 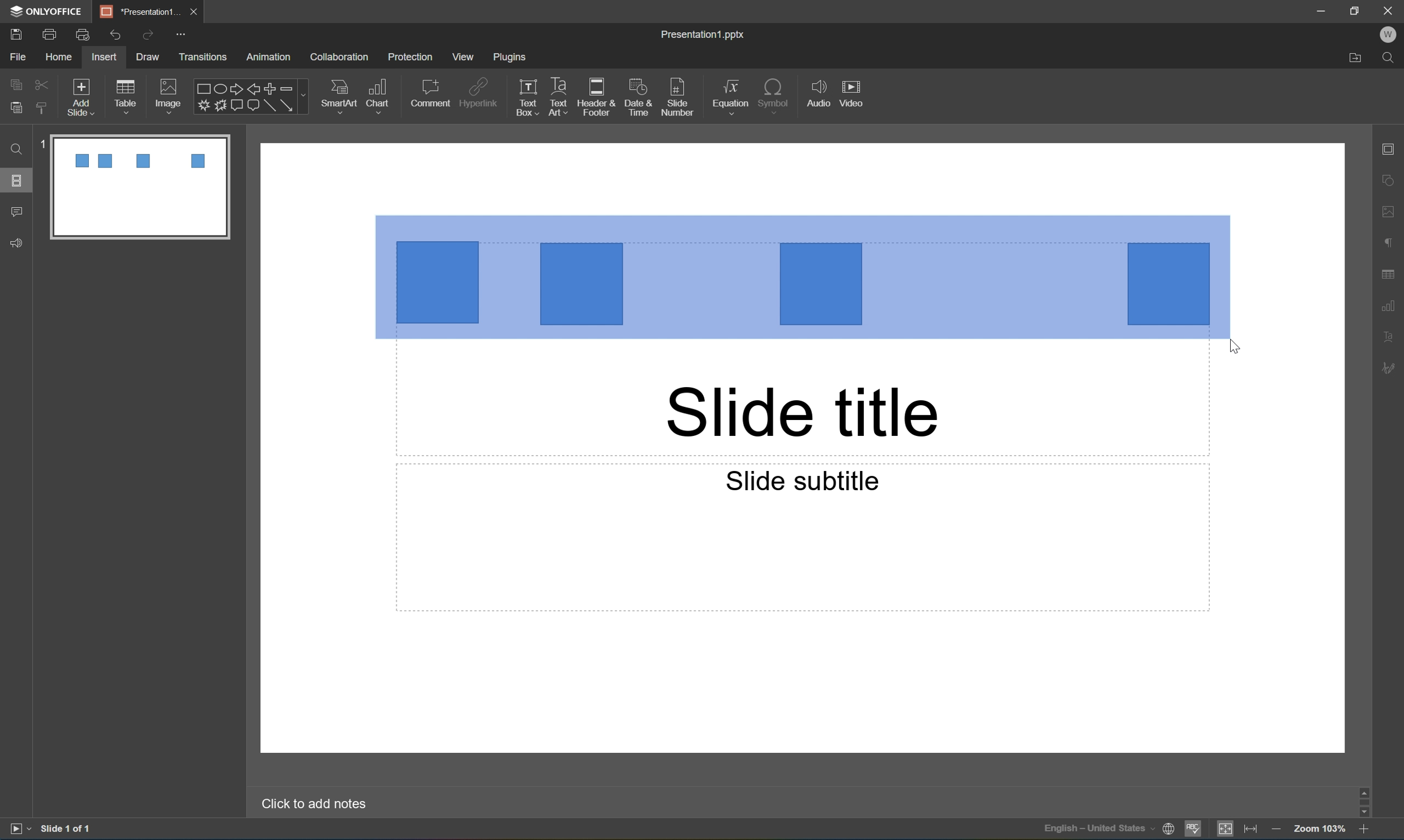 I want to click on zoom in, so click(x=1363, y=832).